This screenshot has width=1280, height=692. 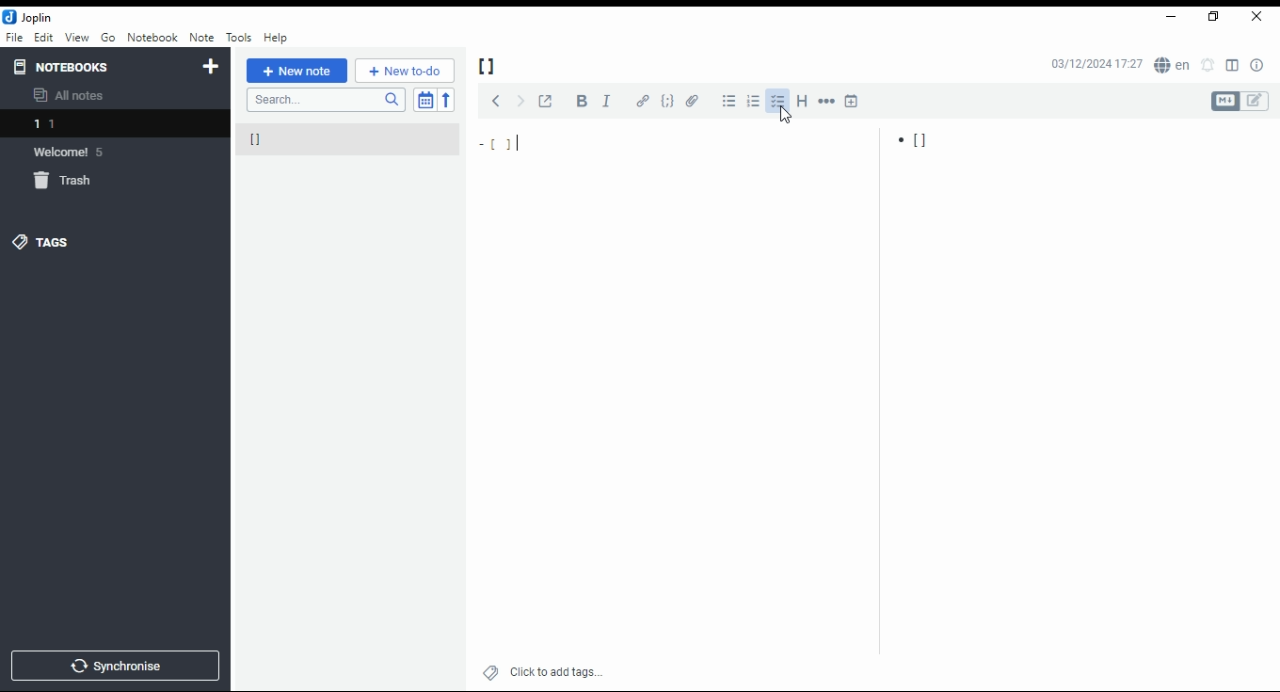 I want to click on horizontal rule, so click(x=827, y=101).